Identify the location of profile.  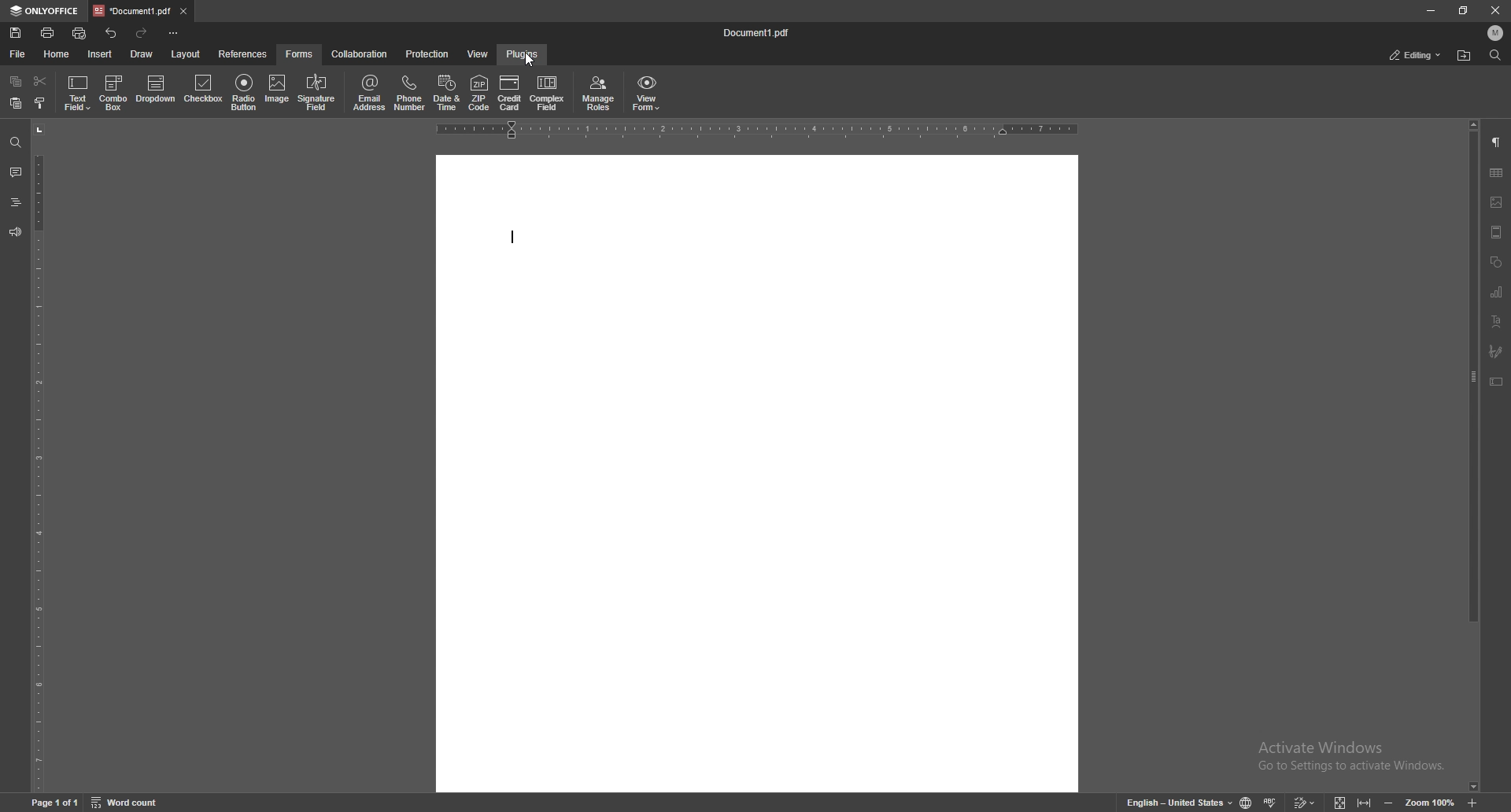
(1498, 32).